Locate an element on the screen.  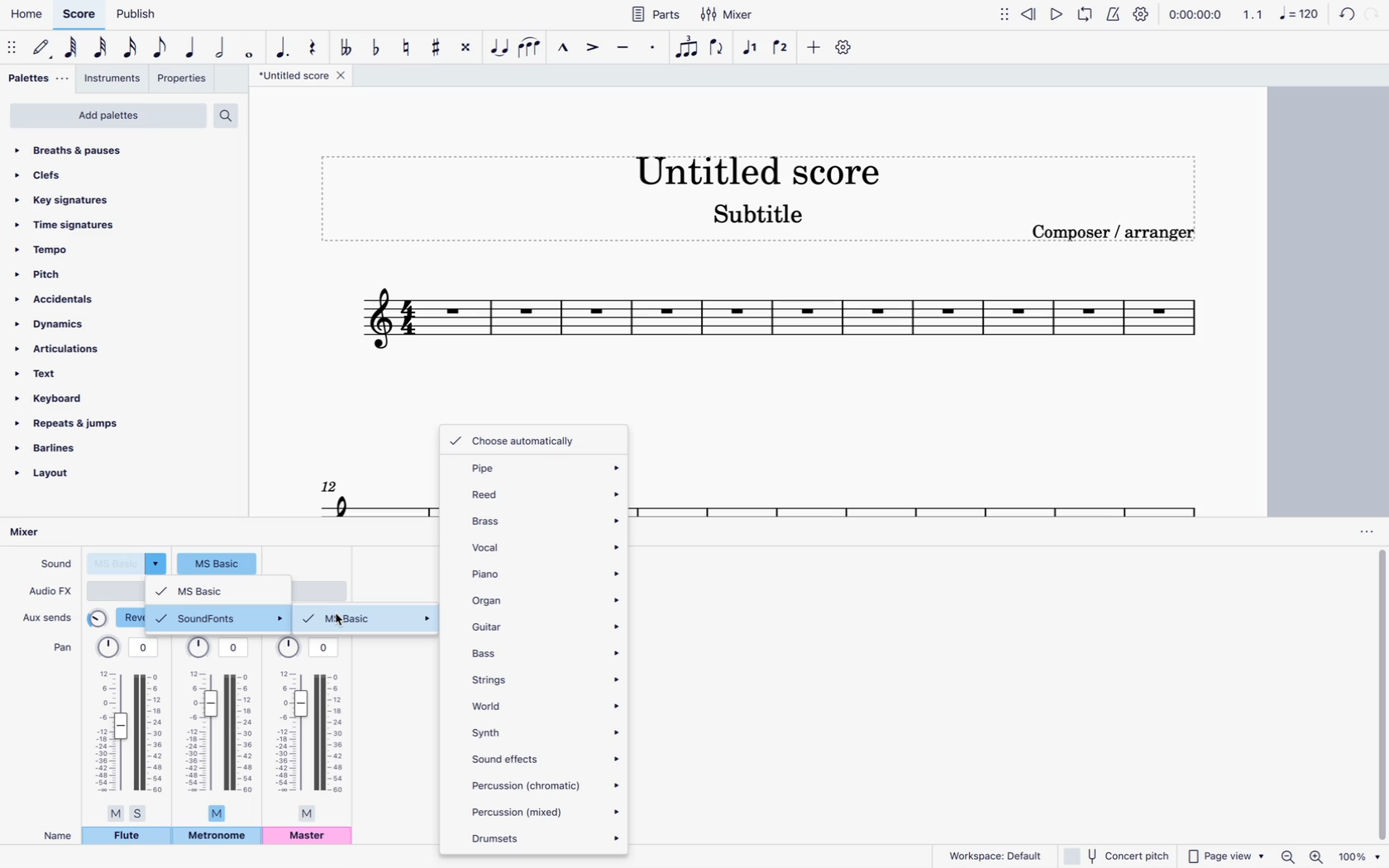
guitar is located at coordinates (545, 627).